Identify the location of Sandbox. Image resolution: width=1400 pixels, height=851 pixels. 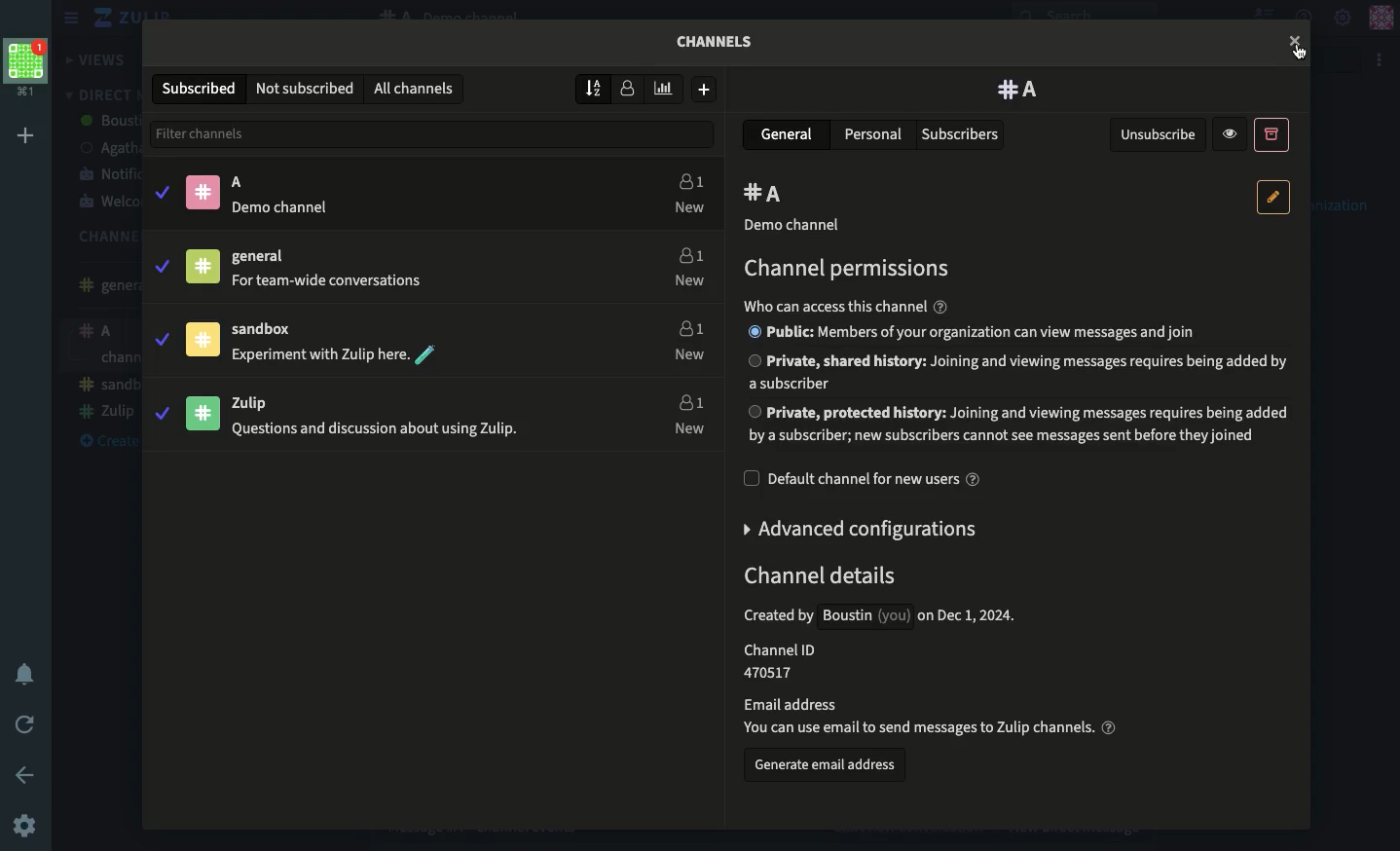
(107, 359).